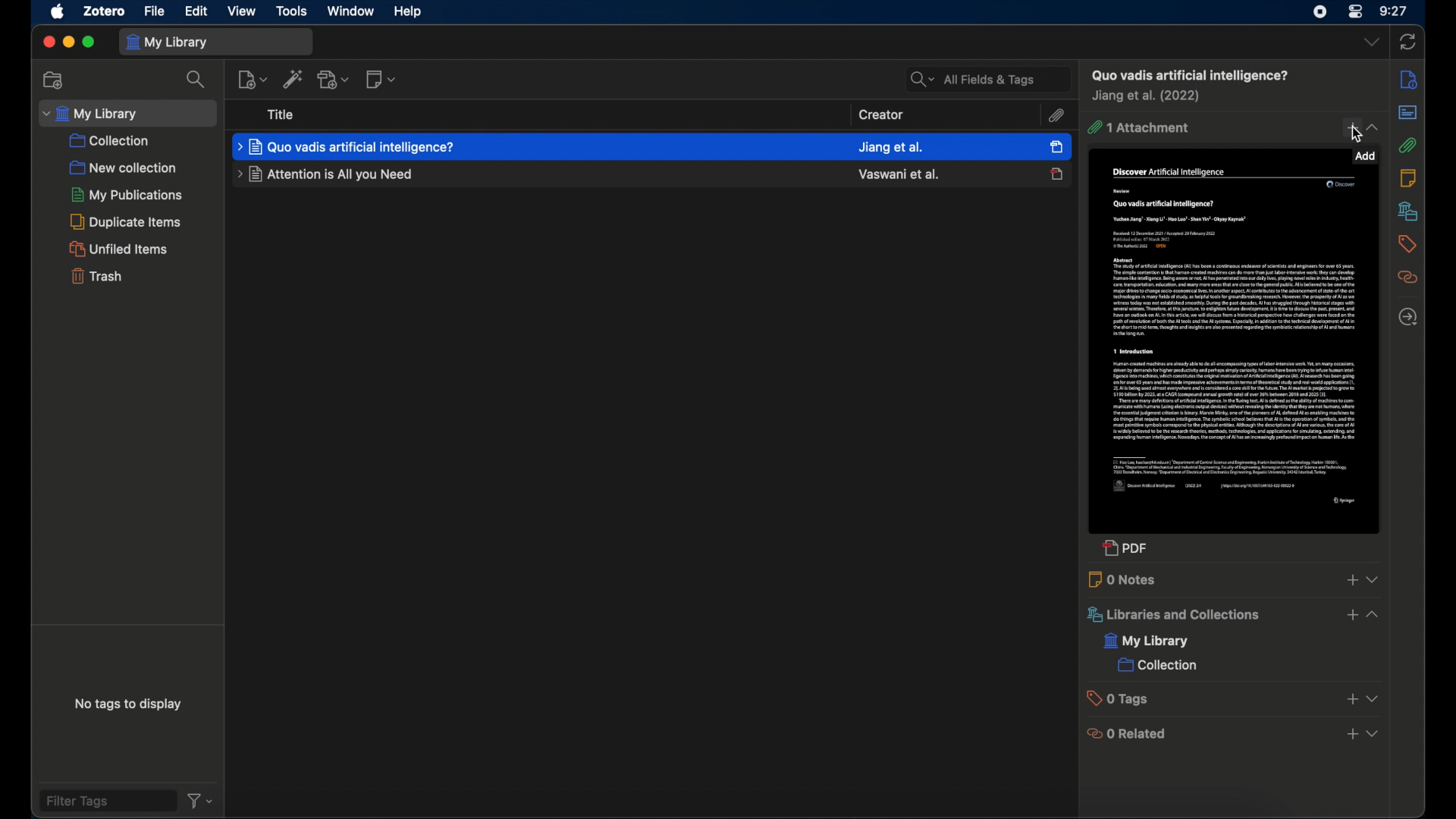  Describe the element at coordinates (1406, 243) in the screenshot. I see `tags` at that location.